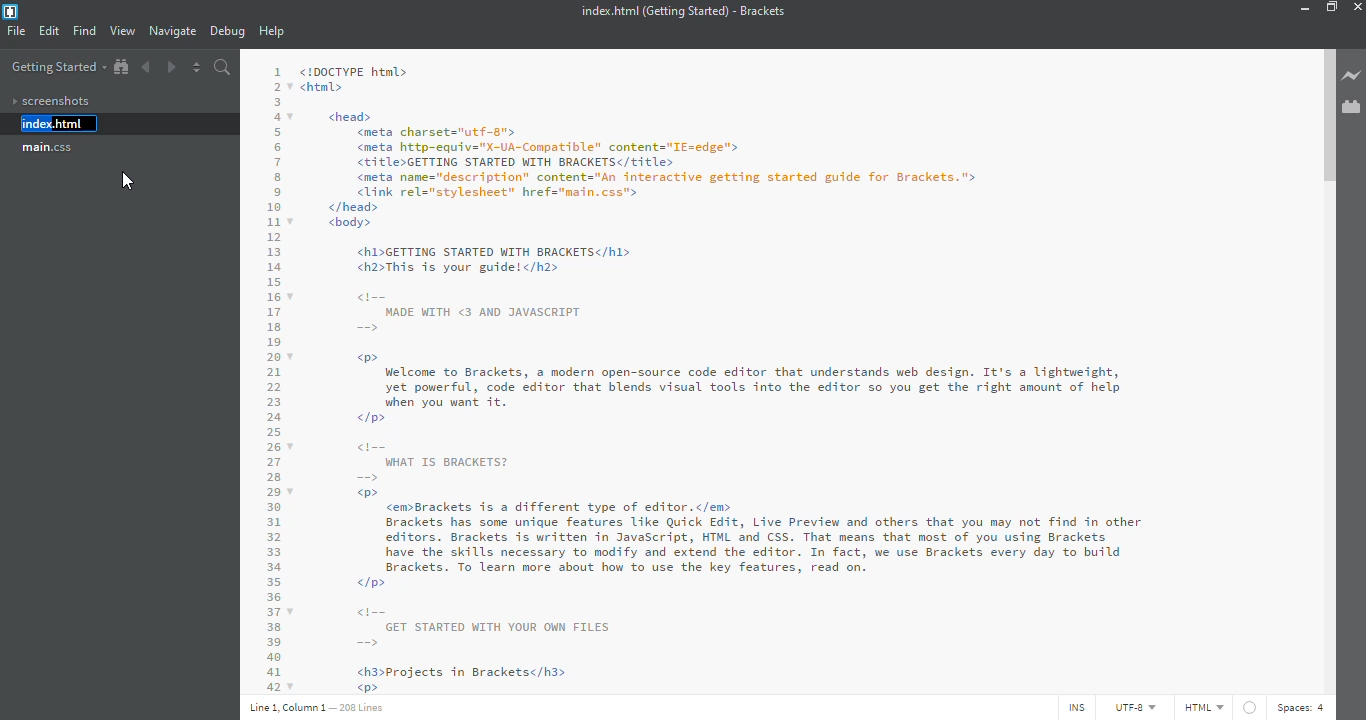 This screenshot has height=720, width=1366. I want to click on minimize, so click(1302, 8).